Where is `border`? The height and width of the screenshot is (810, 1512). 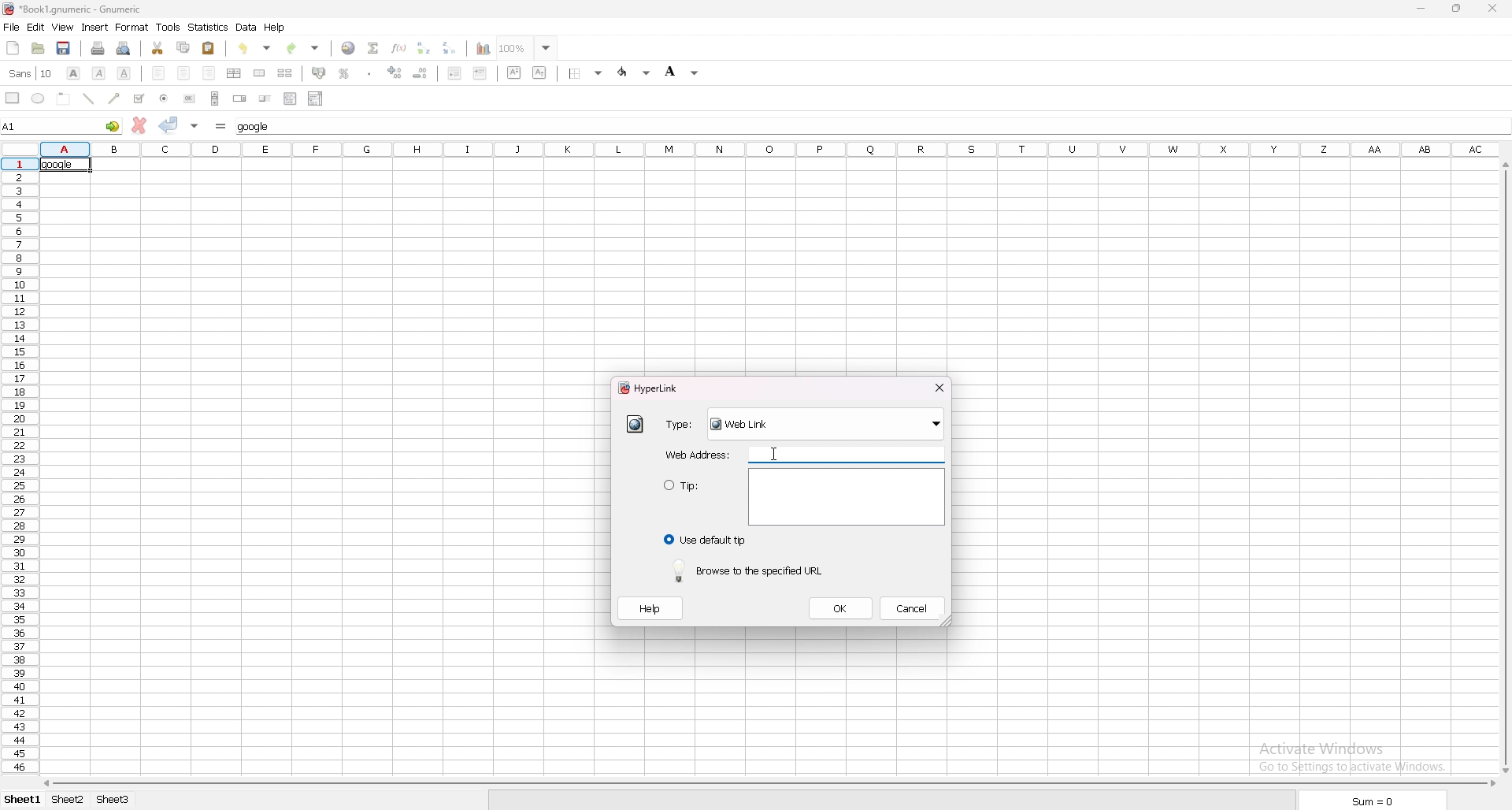
border is located at coordinates (585, 73).